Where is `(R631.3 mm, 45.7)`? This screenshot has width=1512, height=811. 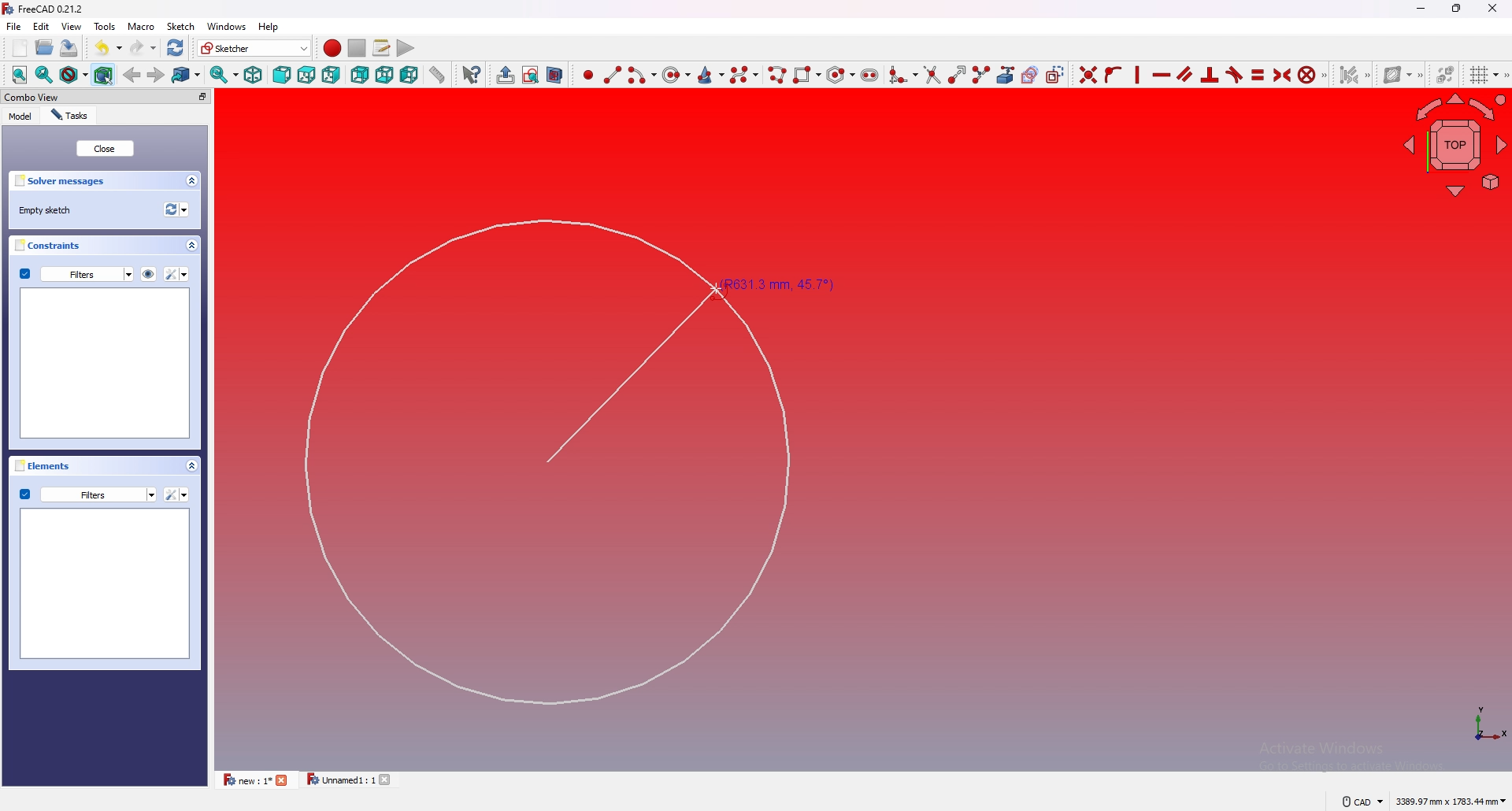 (R631.3 mm, 45.7) is located at coordinates (560, 457).